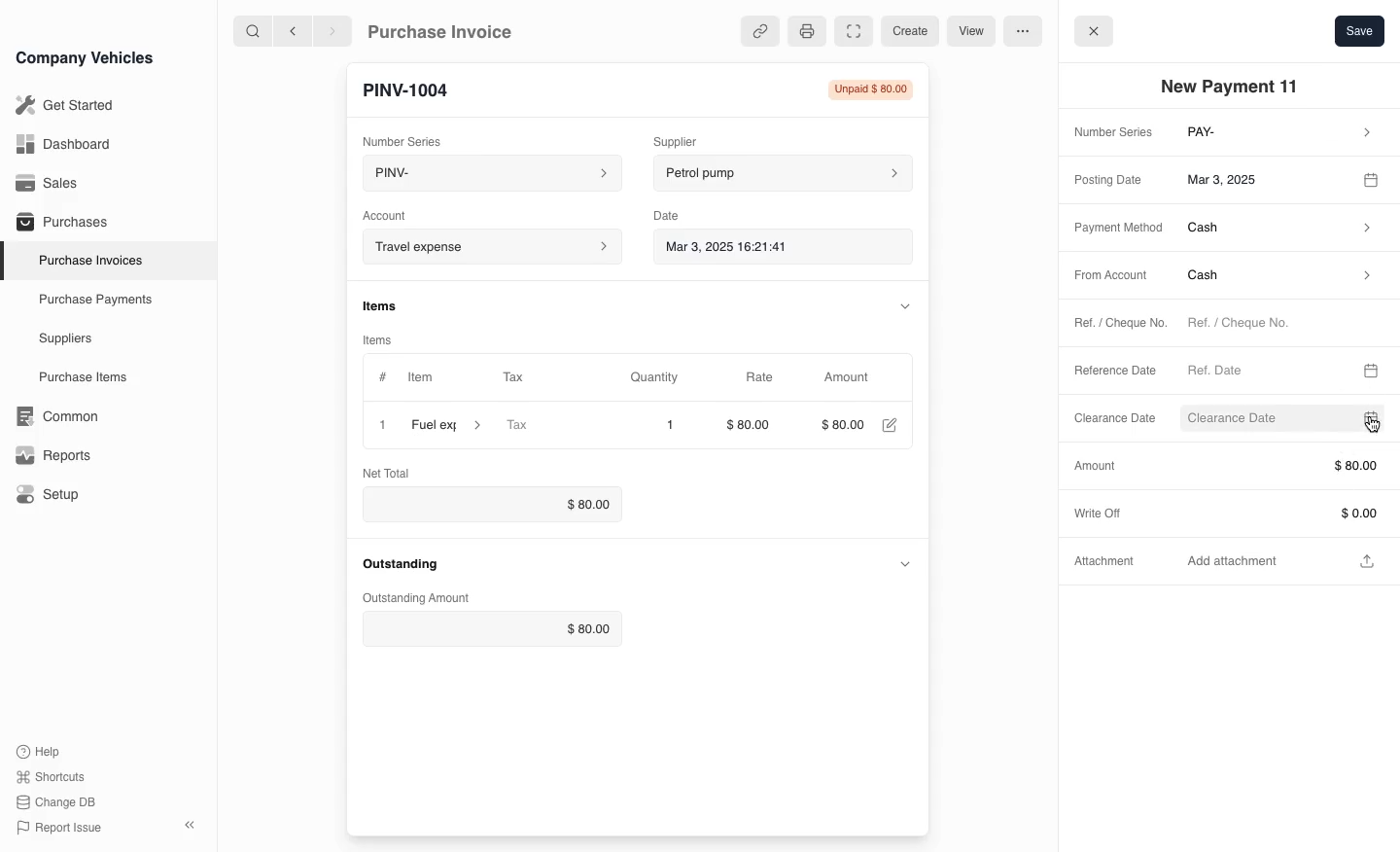 This screenshot has width=1400, height=852. Describe the element at coordinates (406, 137) in the screenshot. I see `Number Series` at that location.